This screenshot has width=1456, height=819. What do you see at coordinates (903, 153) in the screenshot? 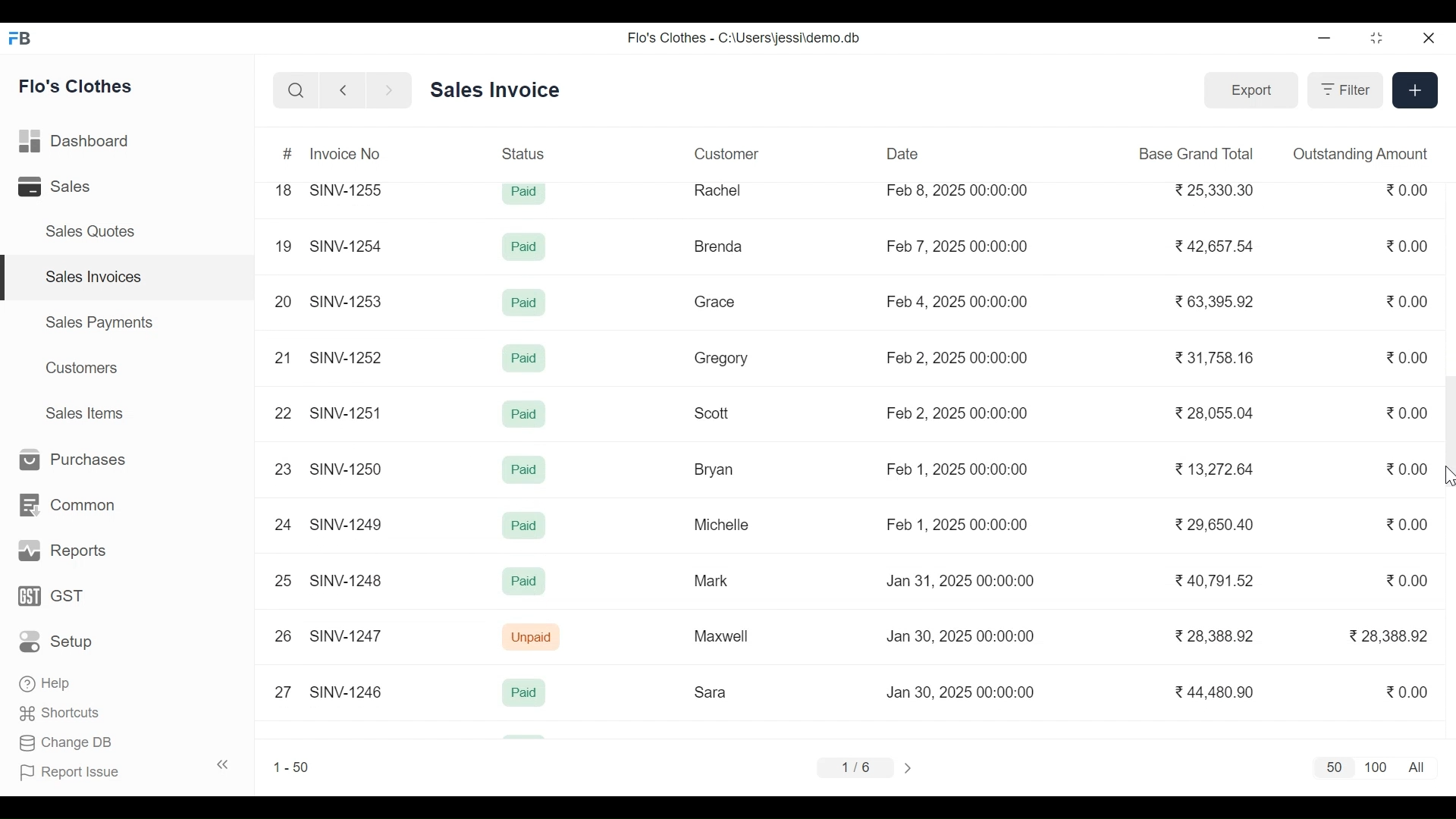
I see `Date` at bounding box center [903, 153].